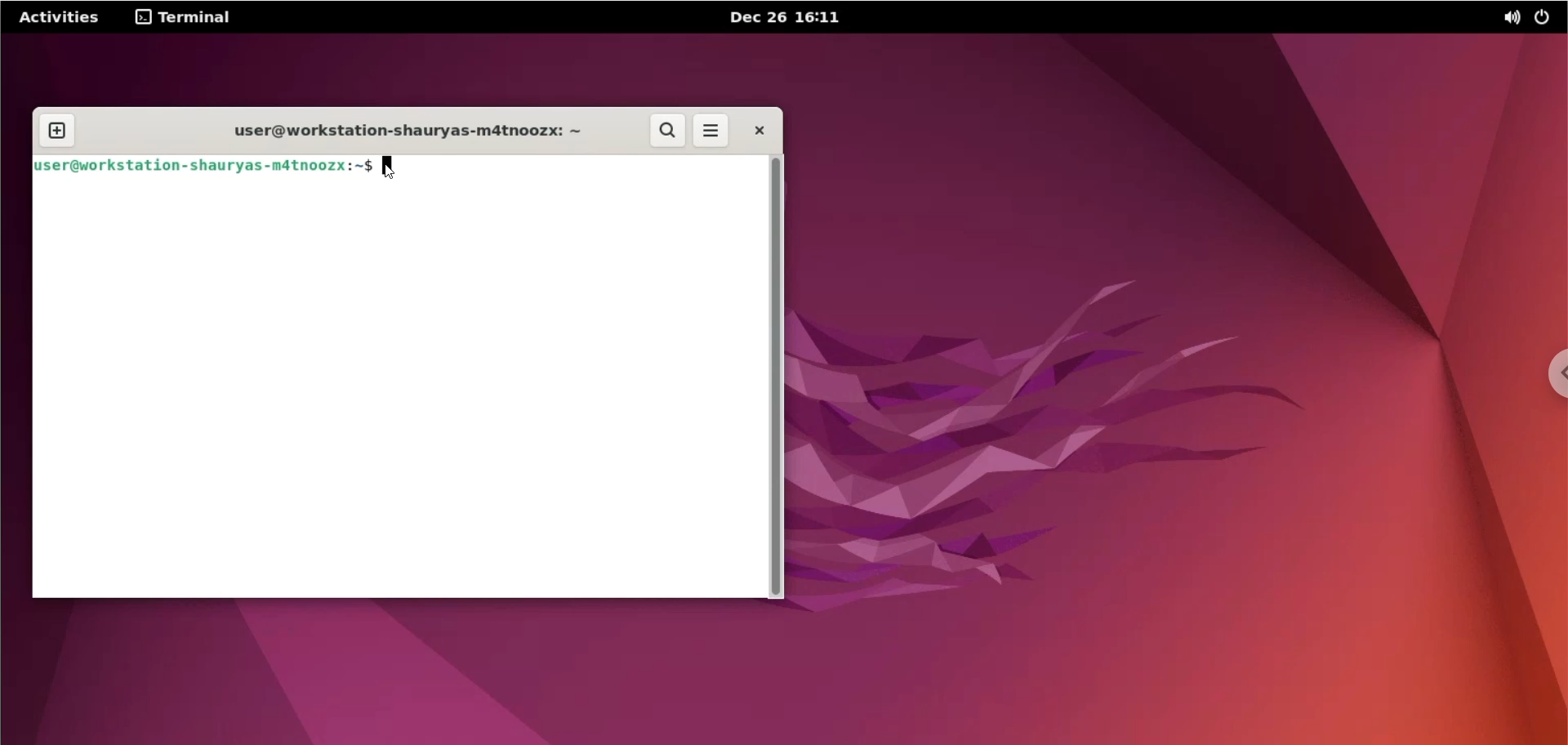 The height and width of the screenshot is (745, 1568). Describe the element at coordinates (393, 169) in the screenshot. I see `cursor` at that location.